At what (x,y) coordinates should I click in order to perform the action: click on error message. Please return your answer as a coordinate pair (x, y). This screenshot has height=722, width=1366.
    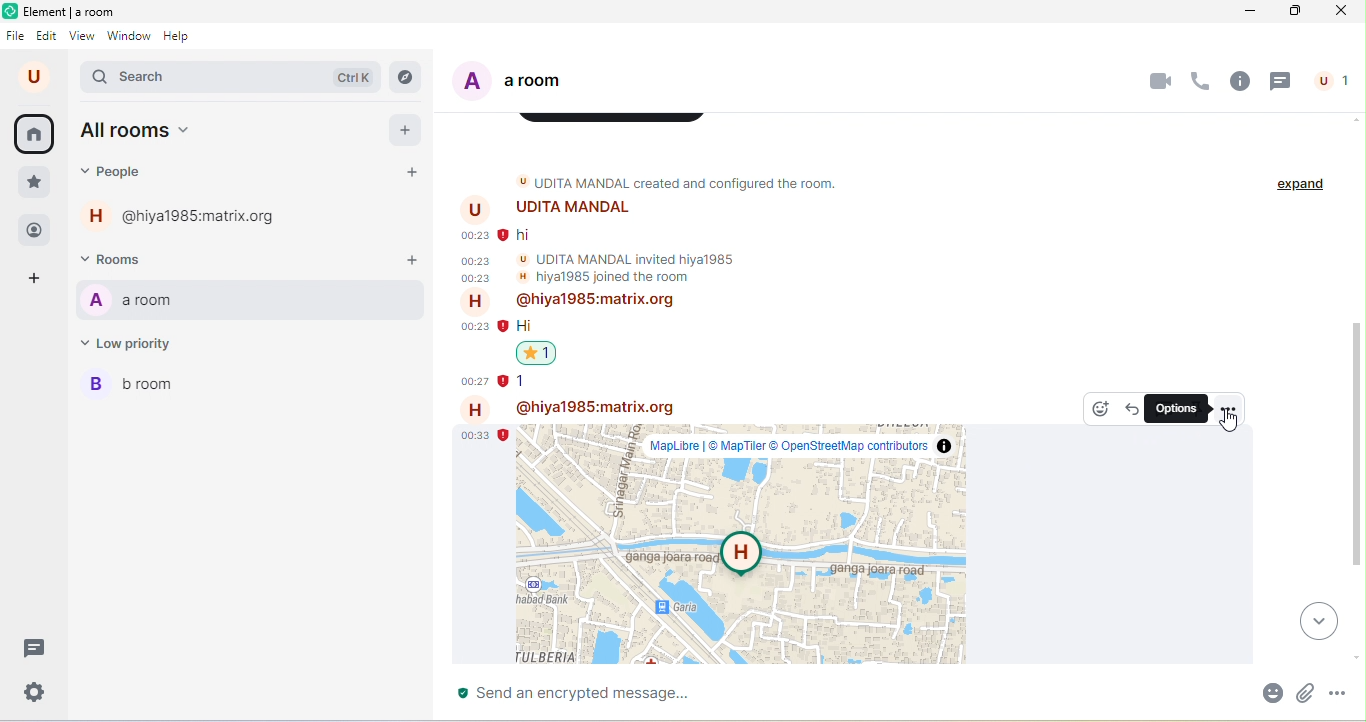
    Looking at the image, I should click on (505, 381).